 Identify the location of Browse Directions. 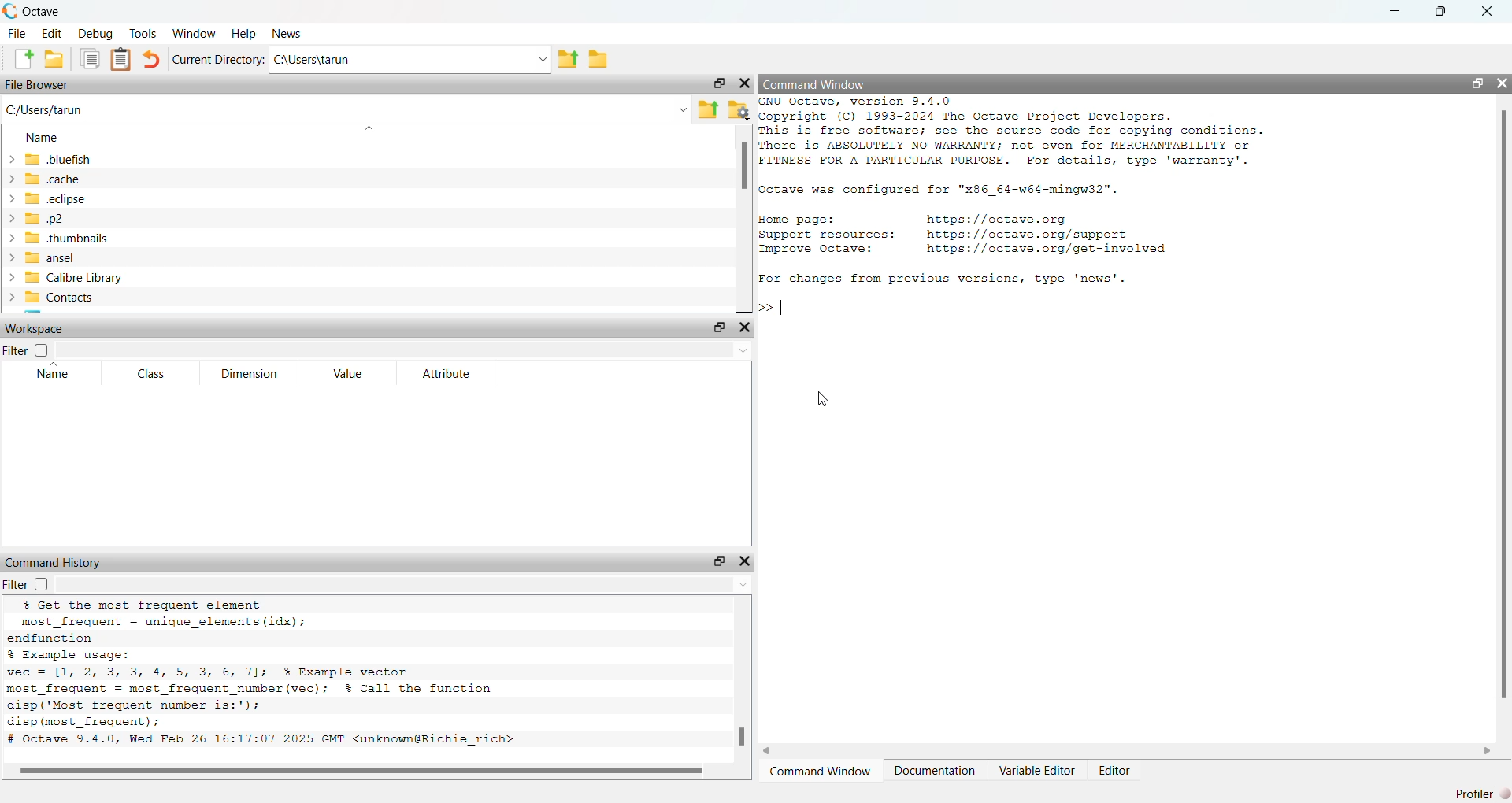
(598, 58).